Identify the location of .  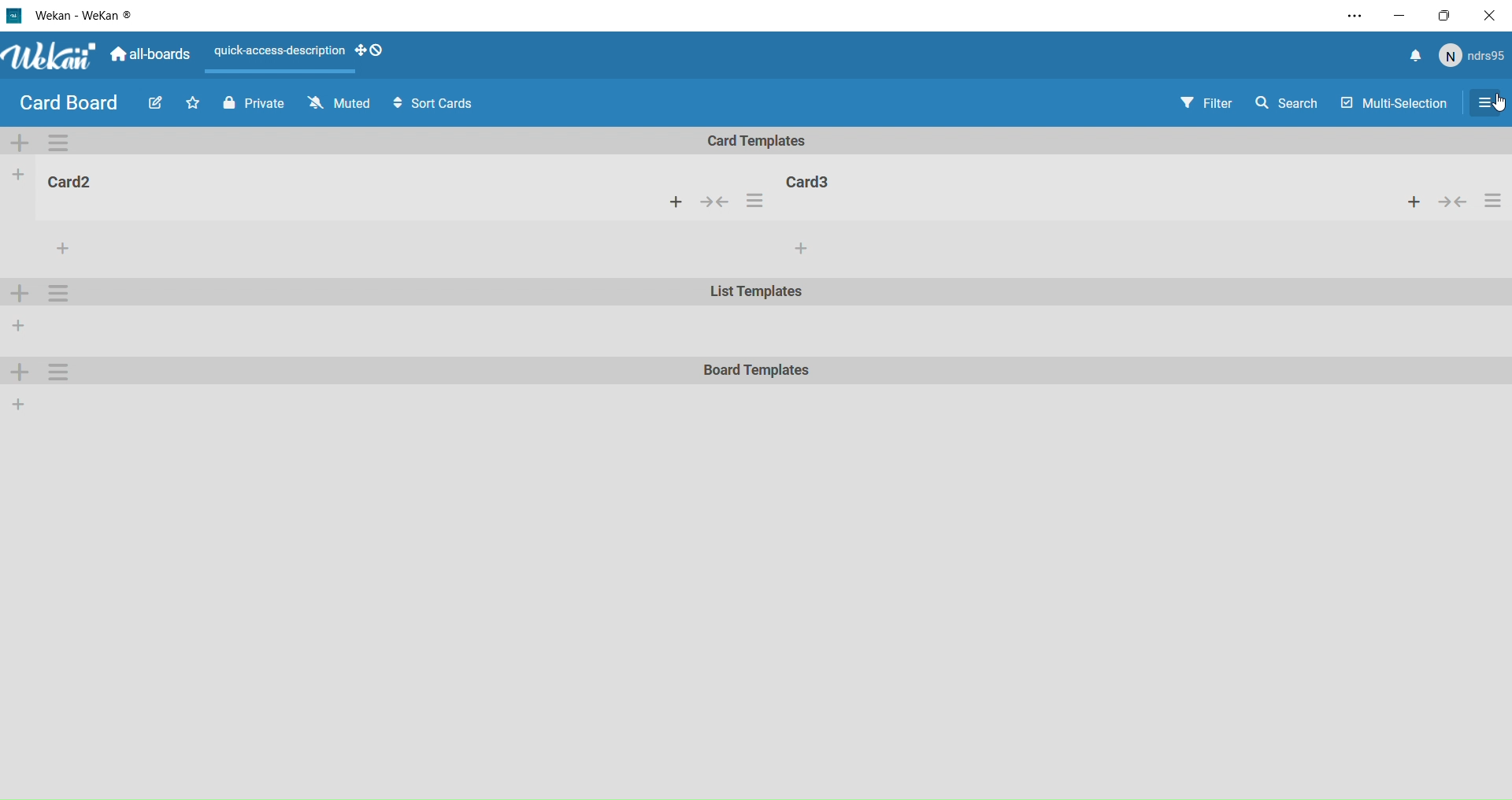
(20, 141).